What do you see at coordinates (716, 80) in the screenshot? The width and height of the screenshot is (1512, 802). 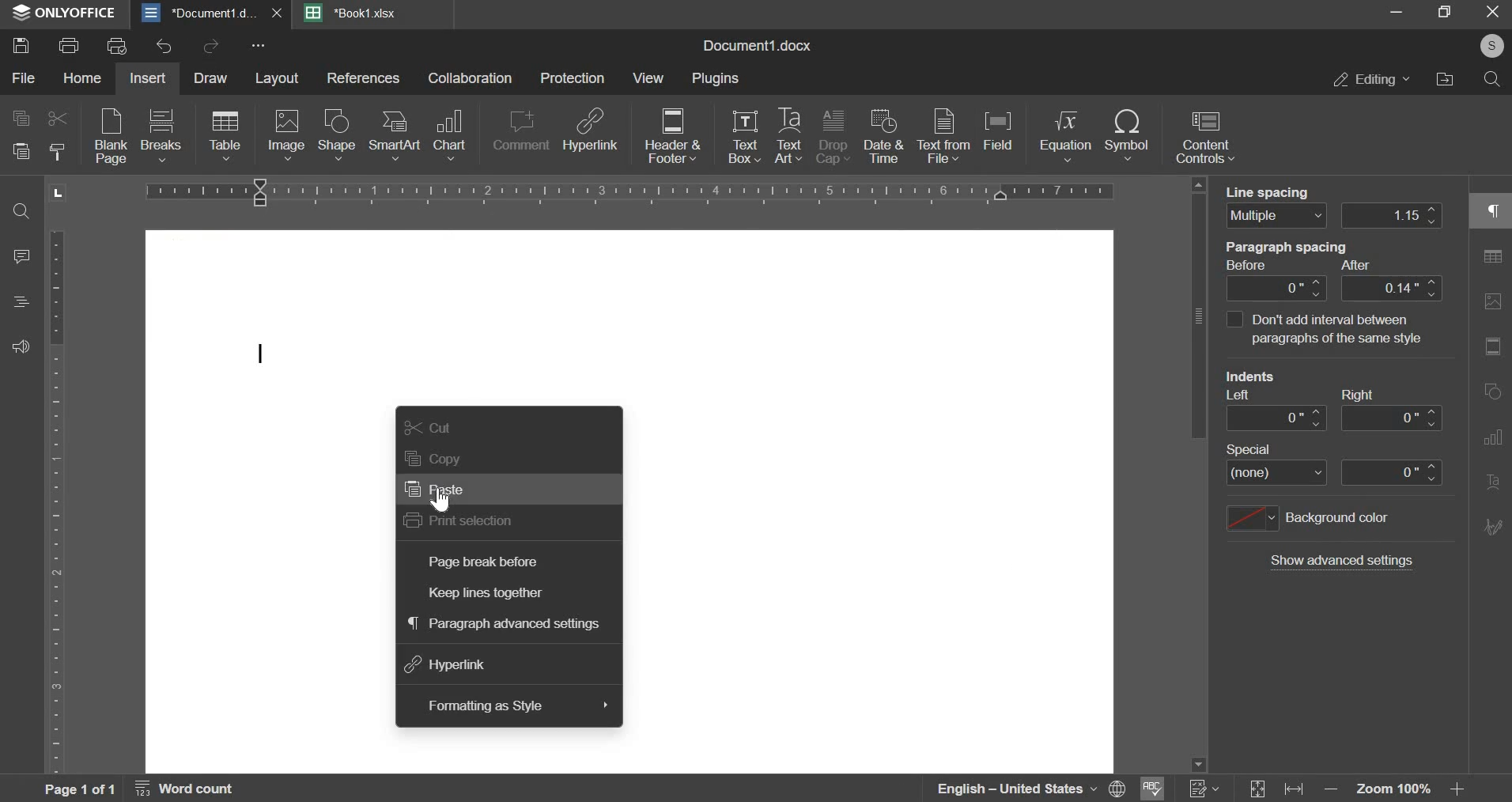 I see `plugins` at bounding box center [716, 80].